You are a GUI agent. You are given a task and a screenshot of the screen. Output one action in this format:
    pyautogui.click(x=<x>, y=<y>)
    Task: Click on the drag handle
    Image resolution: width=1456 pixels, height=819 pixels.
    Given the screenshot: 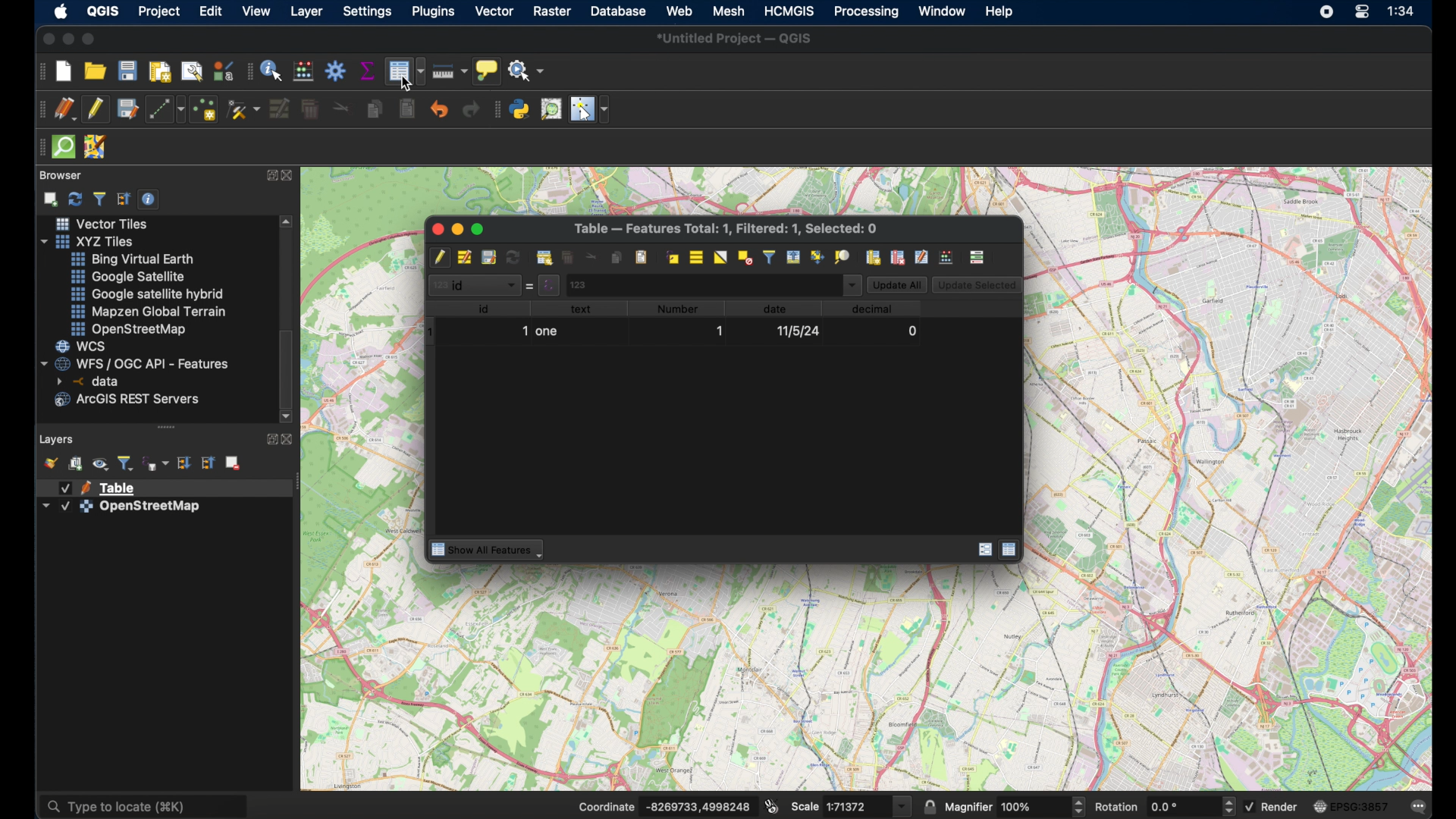 What is the action you would take?
    pyautogui.click(x=247, y=73)
    